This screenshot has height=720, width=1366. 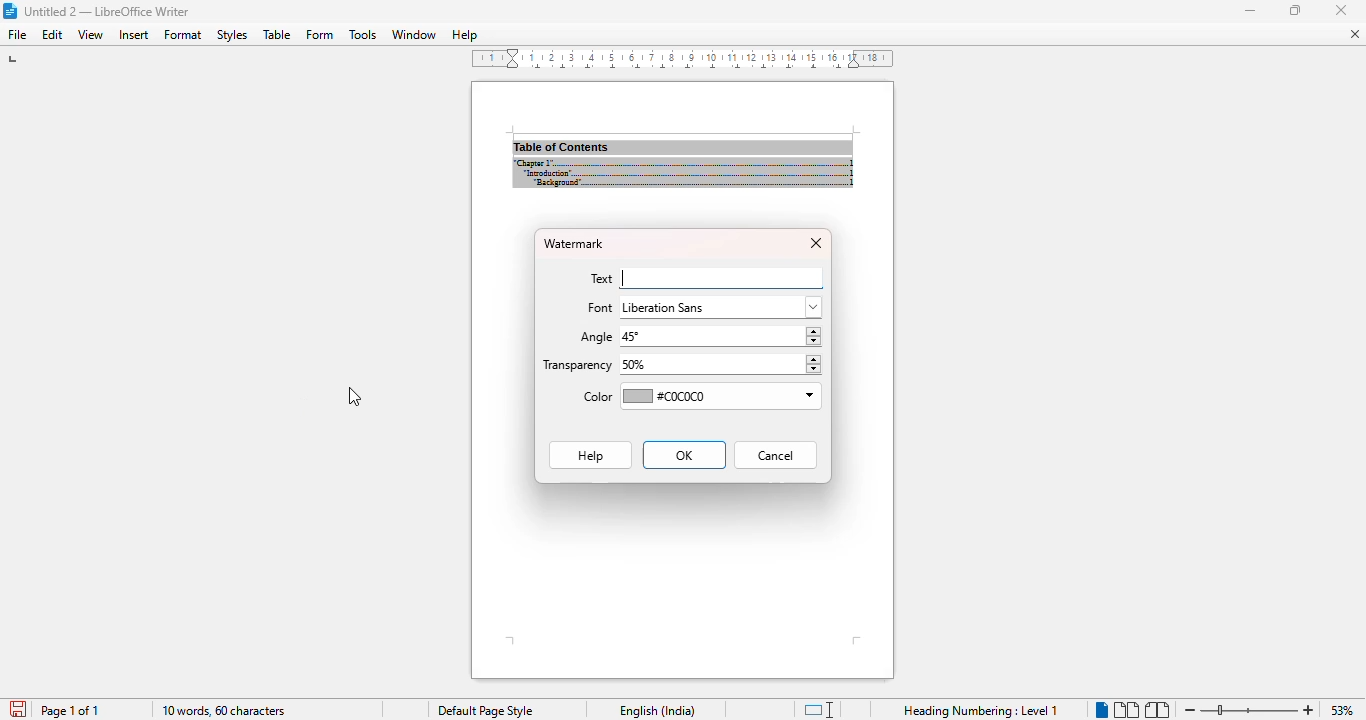 What do you see at coordinates (574, 243) in the screenshot?
I see `watermark` at bounding box center [574, 243].